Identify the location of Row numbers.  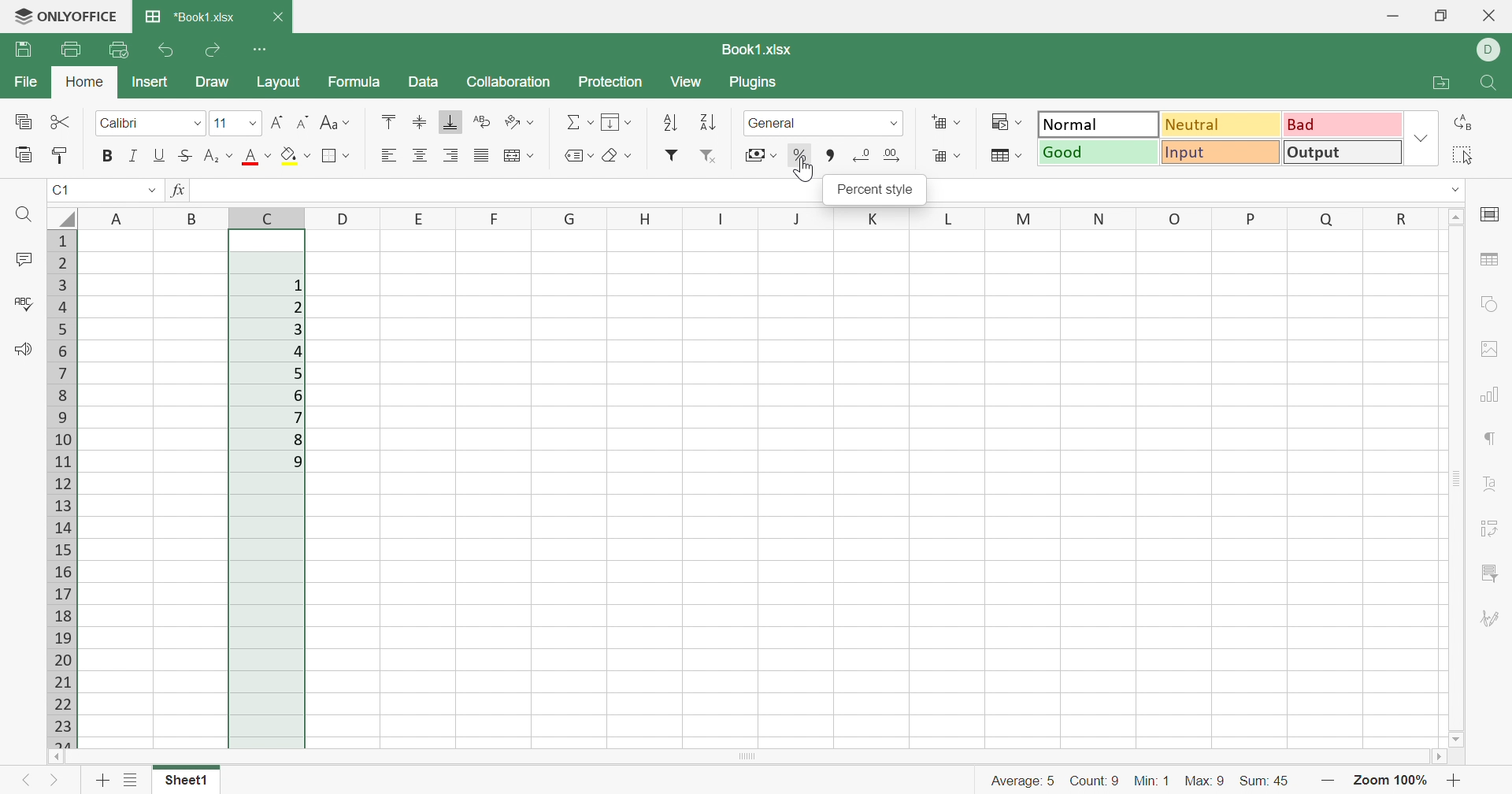
(60, 489).